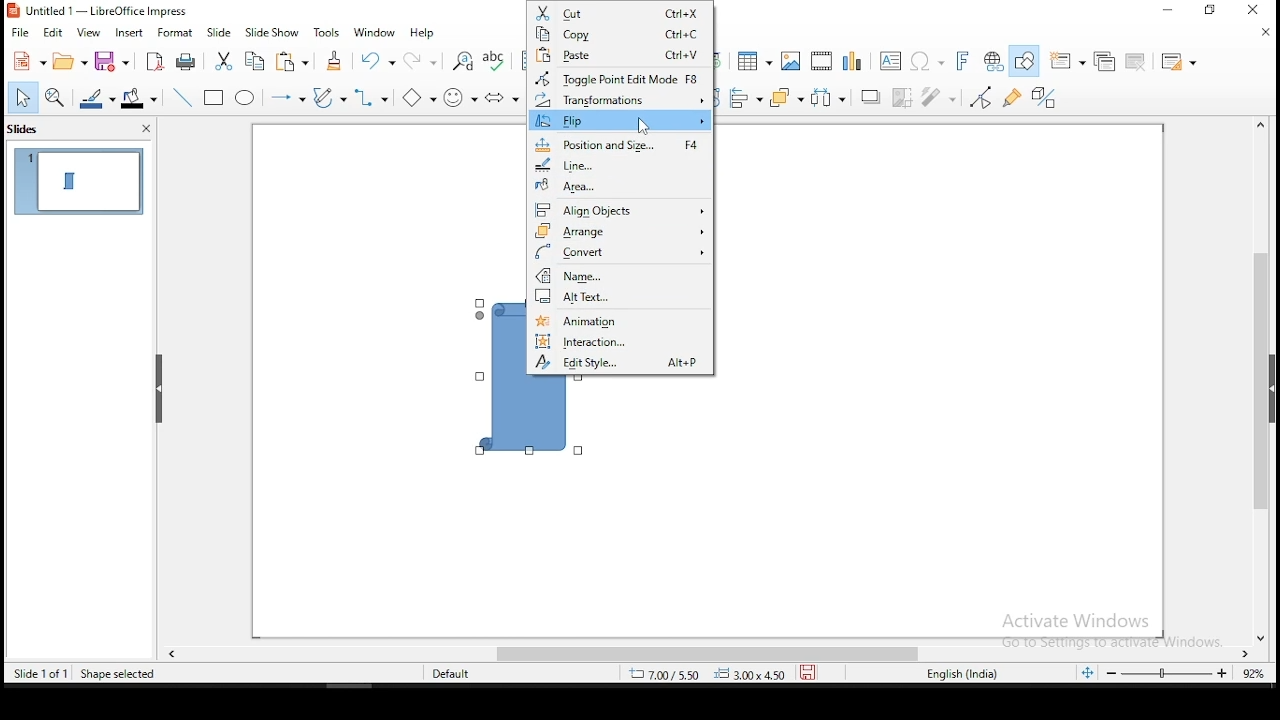  What do you see at coordinates (423, 64) in the screenshot?
I see `redo` at bounding box center [423, 64].